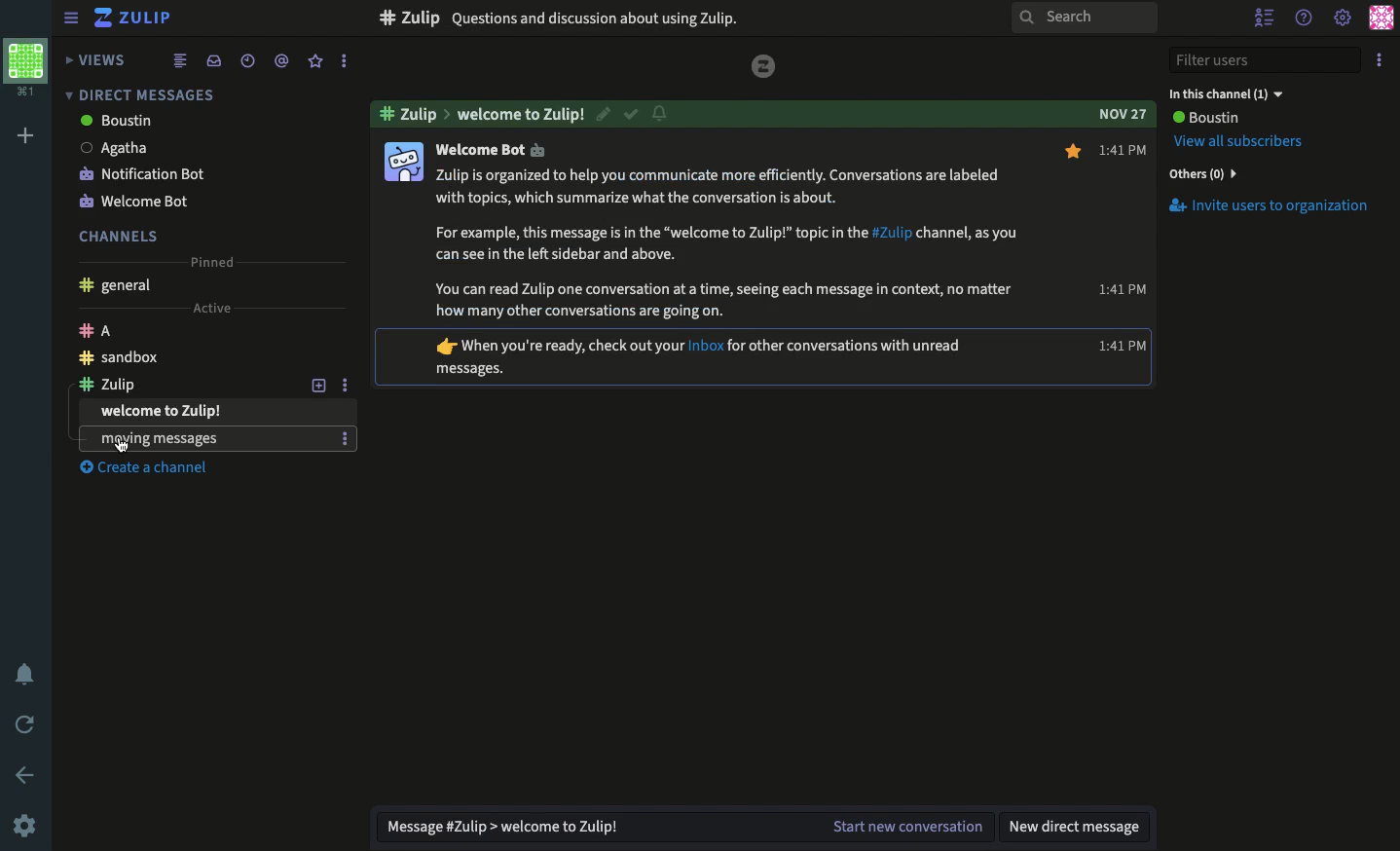  What do you see at coordinates (1226, 93) in the screenshot?
I see `In this channel` at bounding box center [1226, 93].